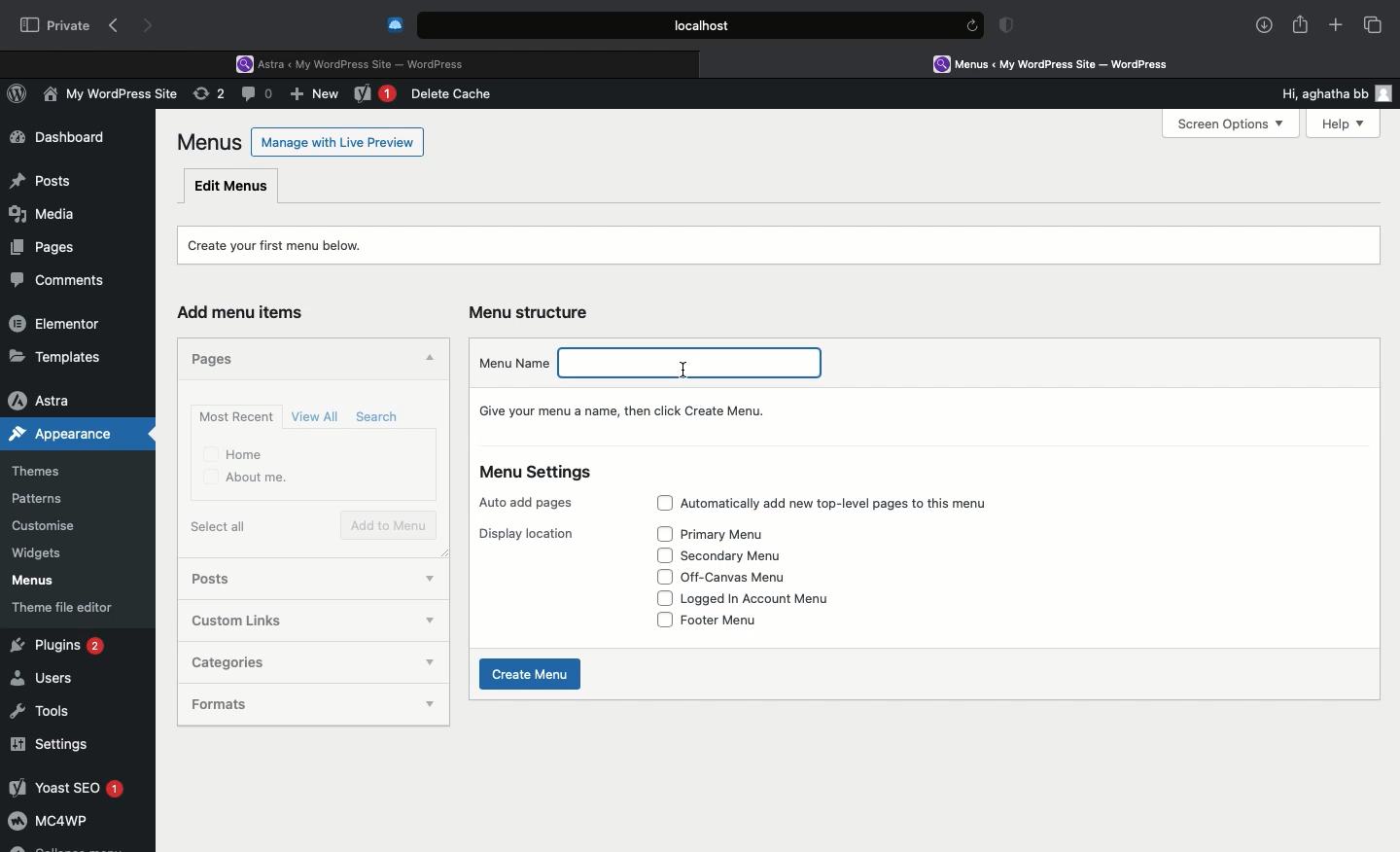 This screenshot has width=1400, height=852. What do you see at coordinates (744, 555) in the screenshot?
I see `Secondary menu` at bounding box center [744, 555].